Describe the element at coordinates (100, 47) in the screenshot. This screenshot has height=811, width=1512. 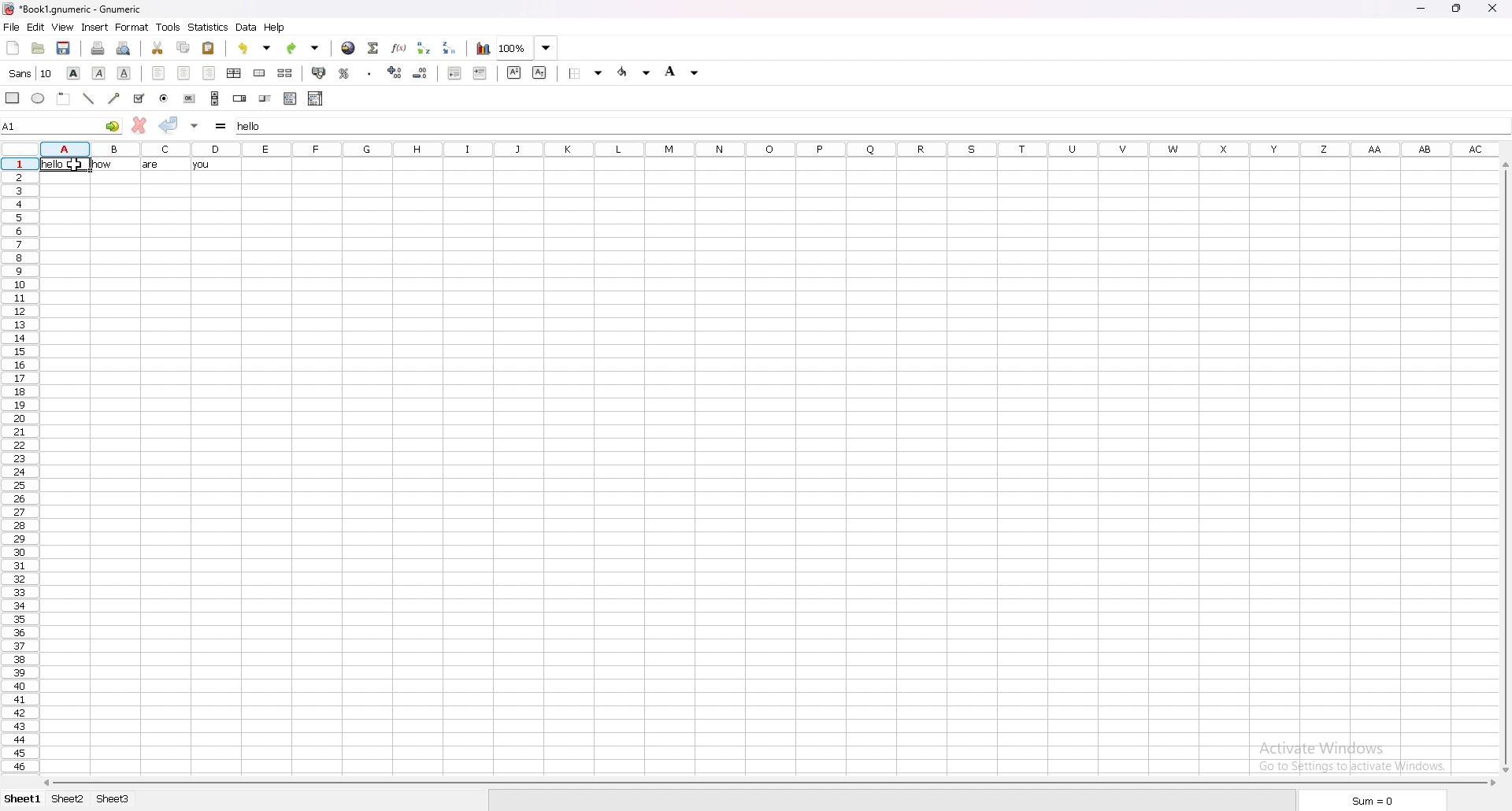
I see `print` at that location.